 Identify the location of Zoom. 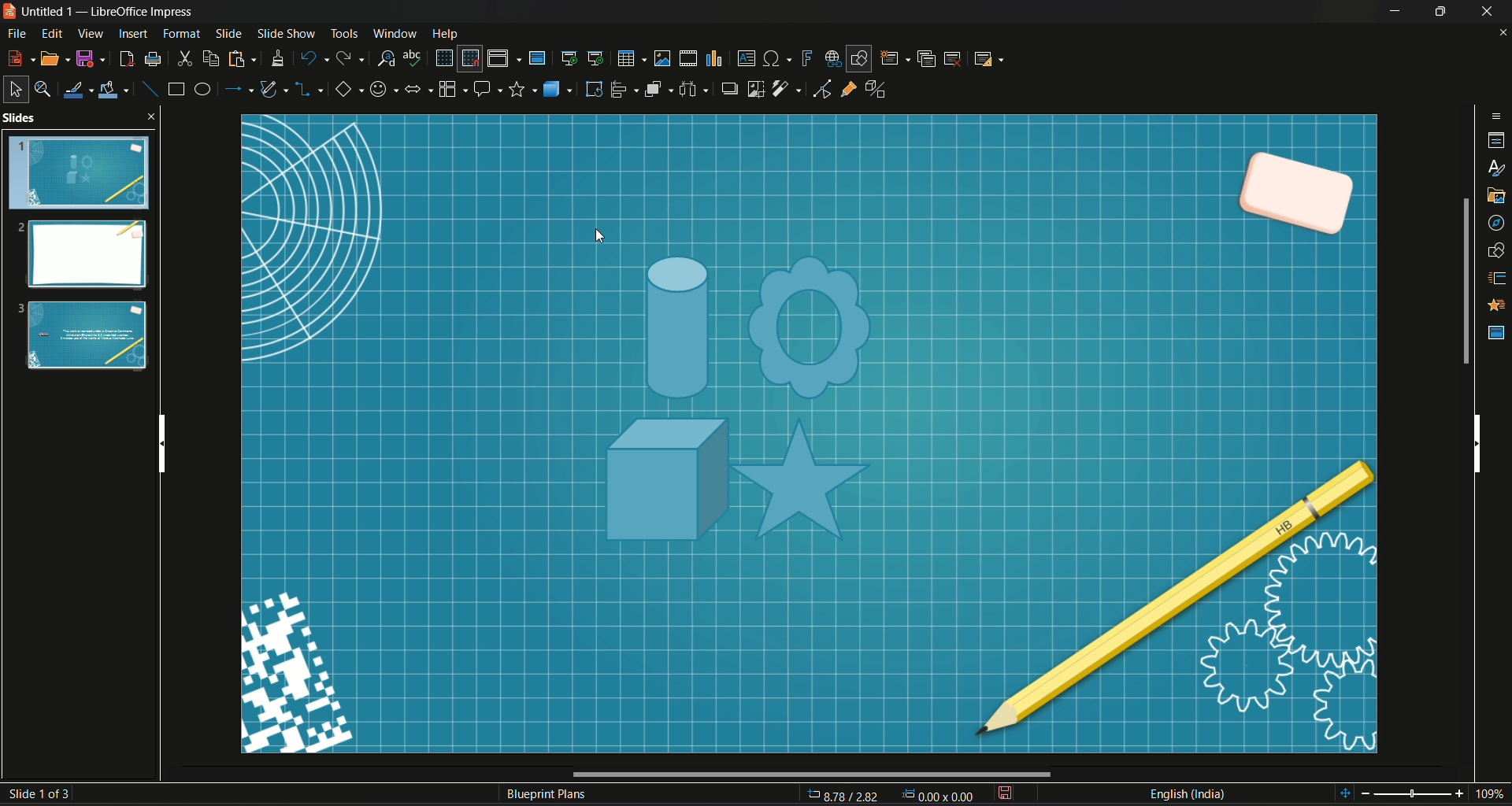
(1425, 794).